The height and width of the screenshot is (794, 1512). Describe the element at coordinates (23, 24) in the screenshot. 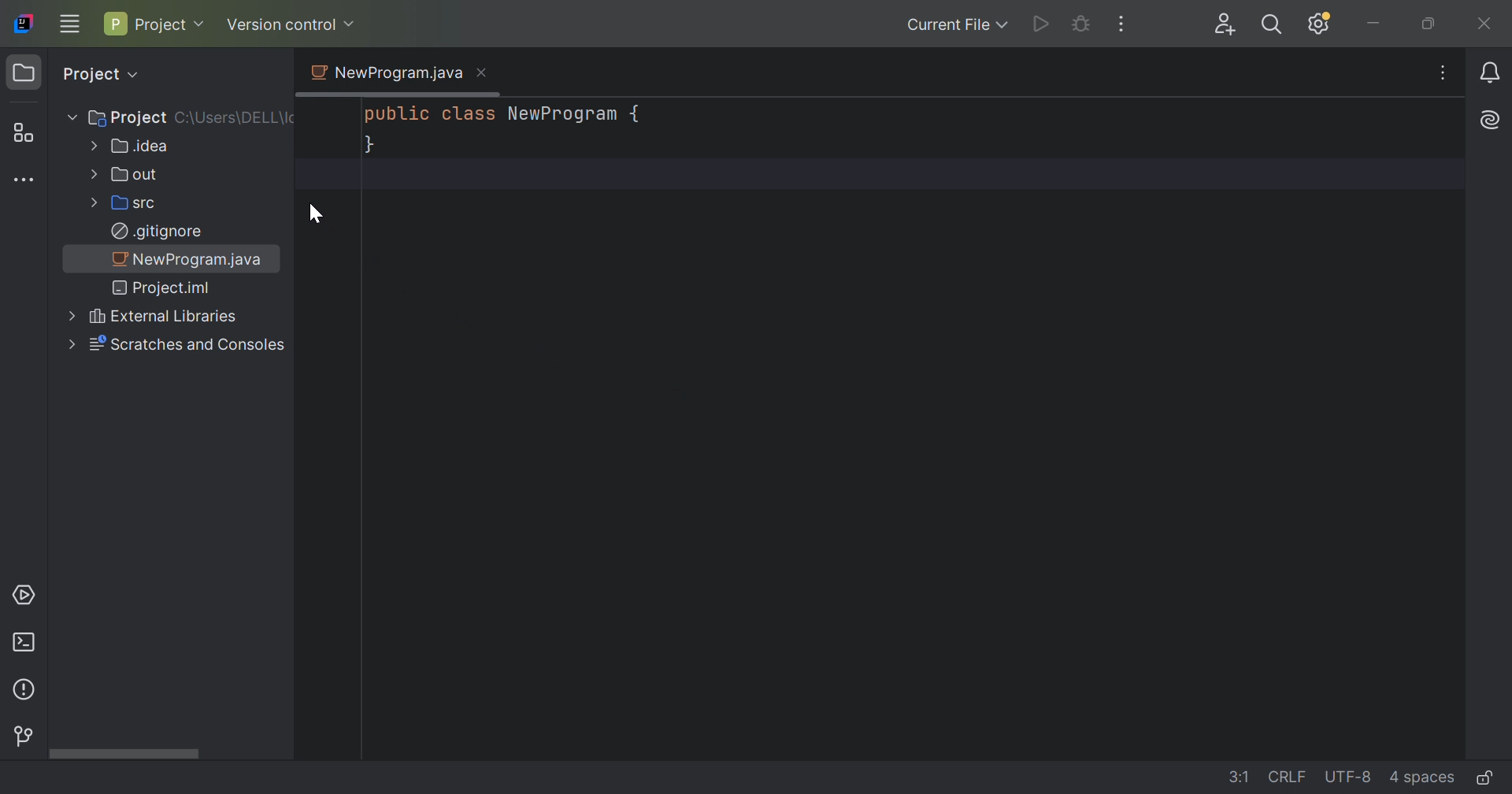

I see `PyCharm icon` at that location.